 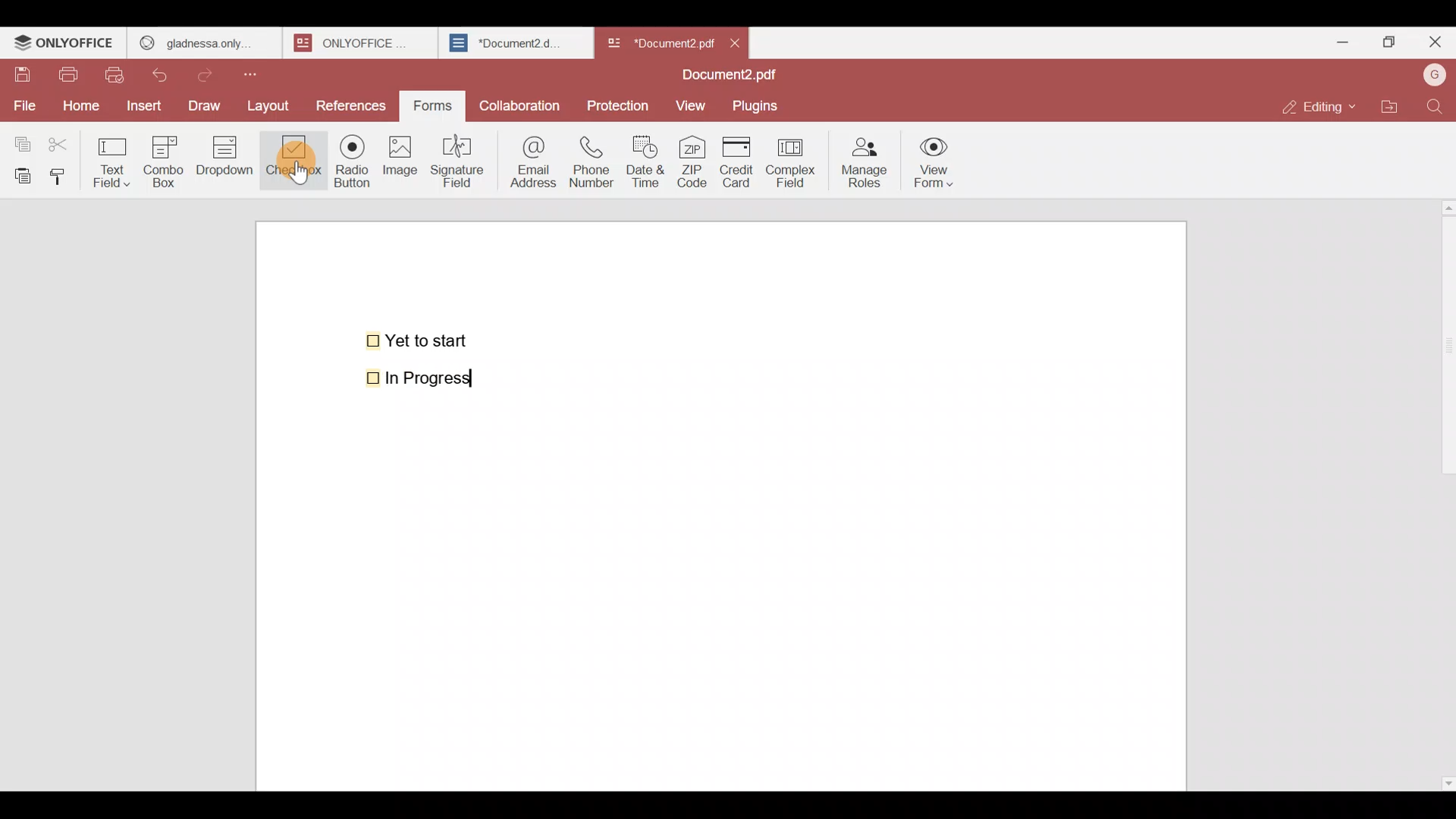 What do you see at coordinates (462, 159) in the screenshot?
I see `Signature field` at bounding box center [462, 159].